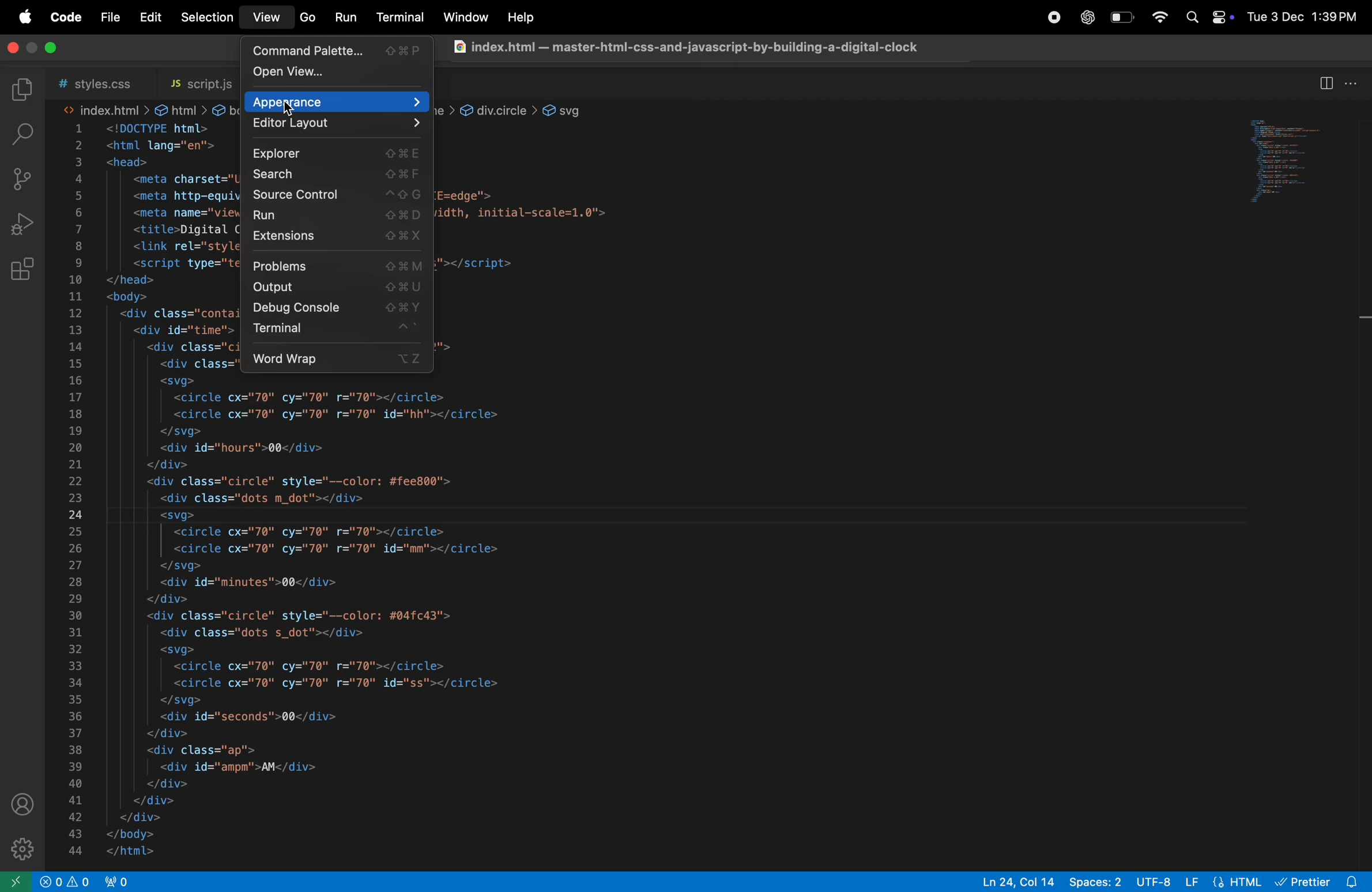 Image resolution: width=1372 pixels, height=892 pixels. I want to click on apple menu, so click(24, 17).